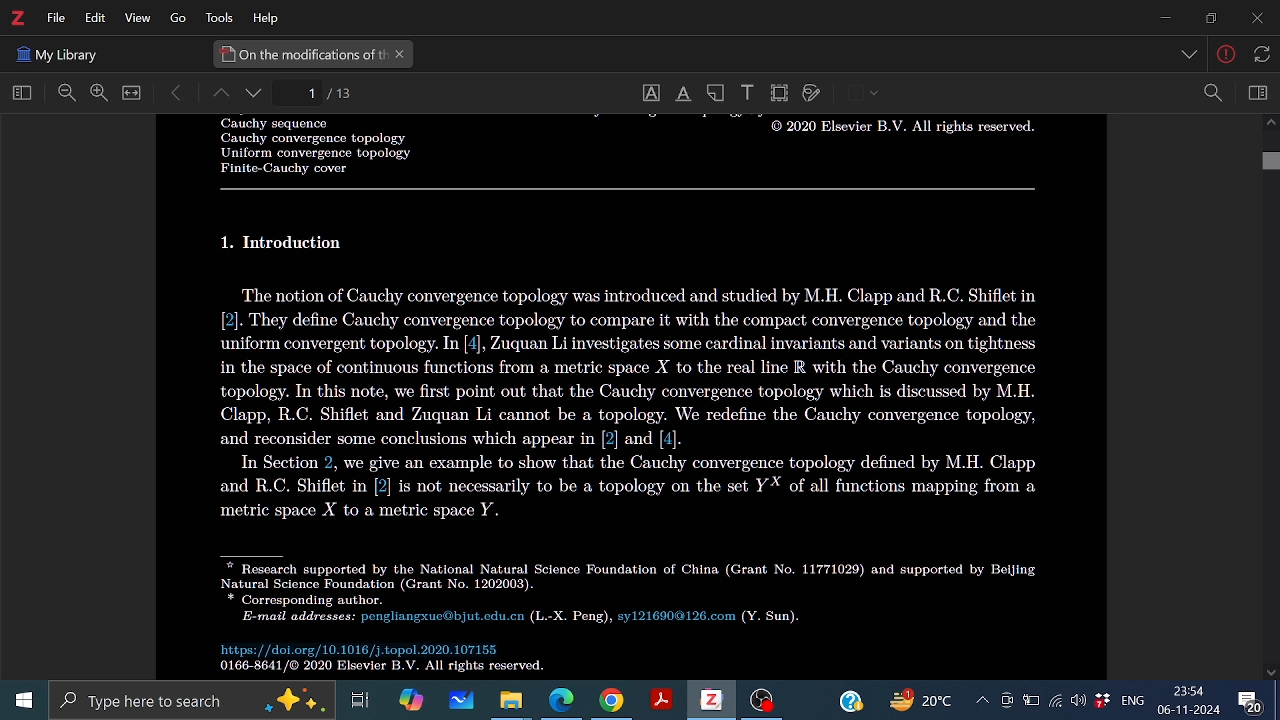 The width and height of the screenshot is (1280, 720). Describe the element at coordinates (850, 699) in the screenshot. I see `Help` at that location.